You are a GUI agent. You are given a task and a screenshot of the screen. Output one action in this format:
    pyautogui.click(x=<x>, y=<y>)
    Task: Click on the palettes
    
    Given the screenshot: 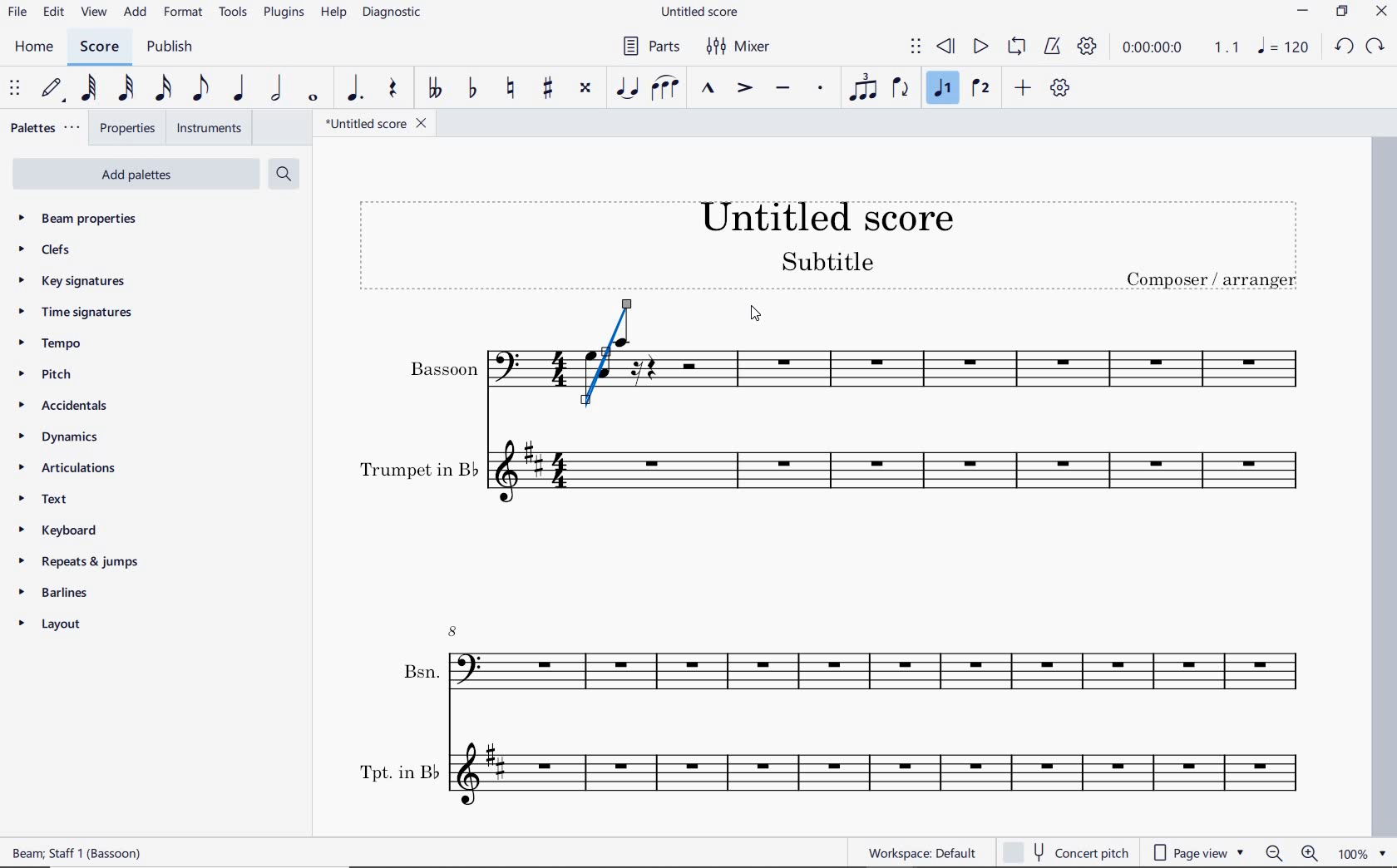 What is the action you would take?
    pyautogui.click(x=44, y=128)
    